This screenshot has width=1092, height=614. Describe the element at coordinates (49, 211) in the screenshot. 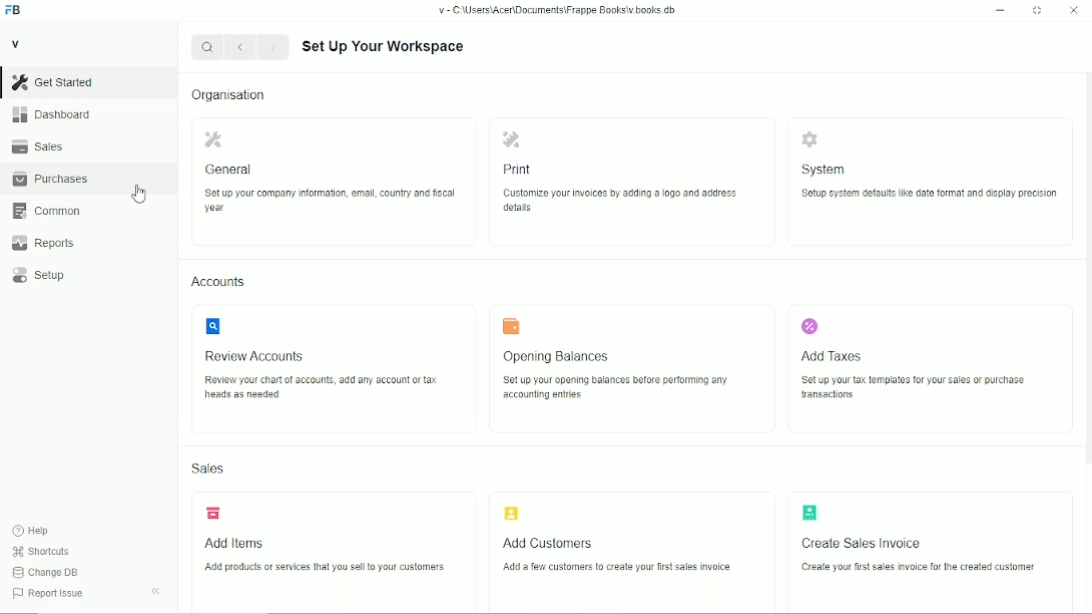

I see `common` at that location.